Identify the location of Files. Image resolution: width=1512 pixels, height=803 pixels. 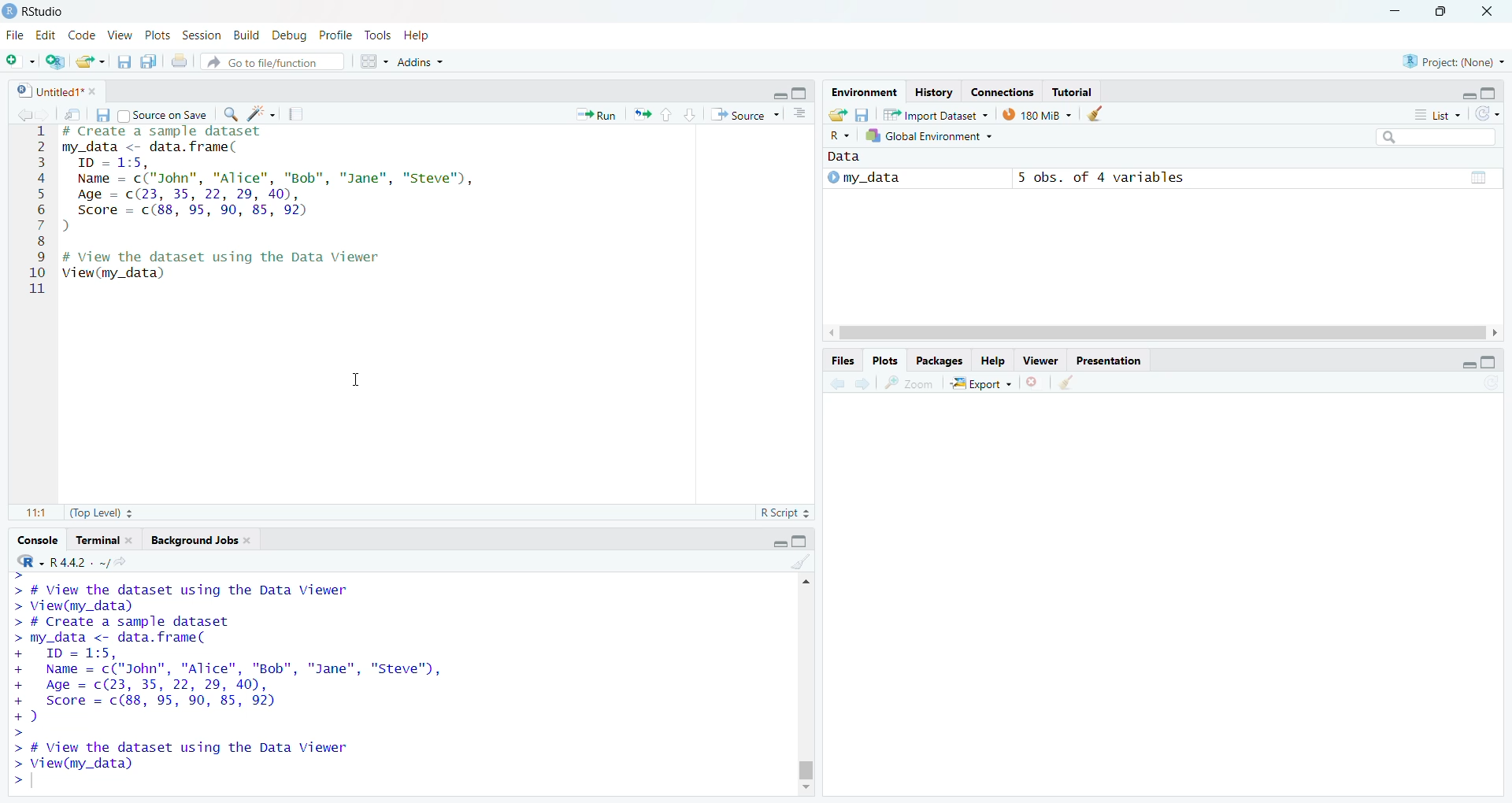
(841, 361).